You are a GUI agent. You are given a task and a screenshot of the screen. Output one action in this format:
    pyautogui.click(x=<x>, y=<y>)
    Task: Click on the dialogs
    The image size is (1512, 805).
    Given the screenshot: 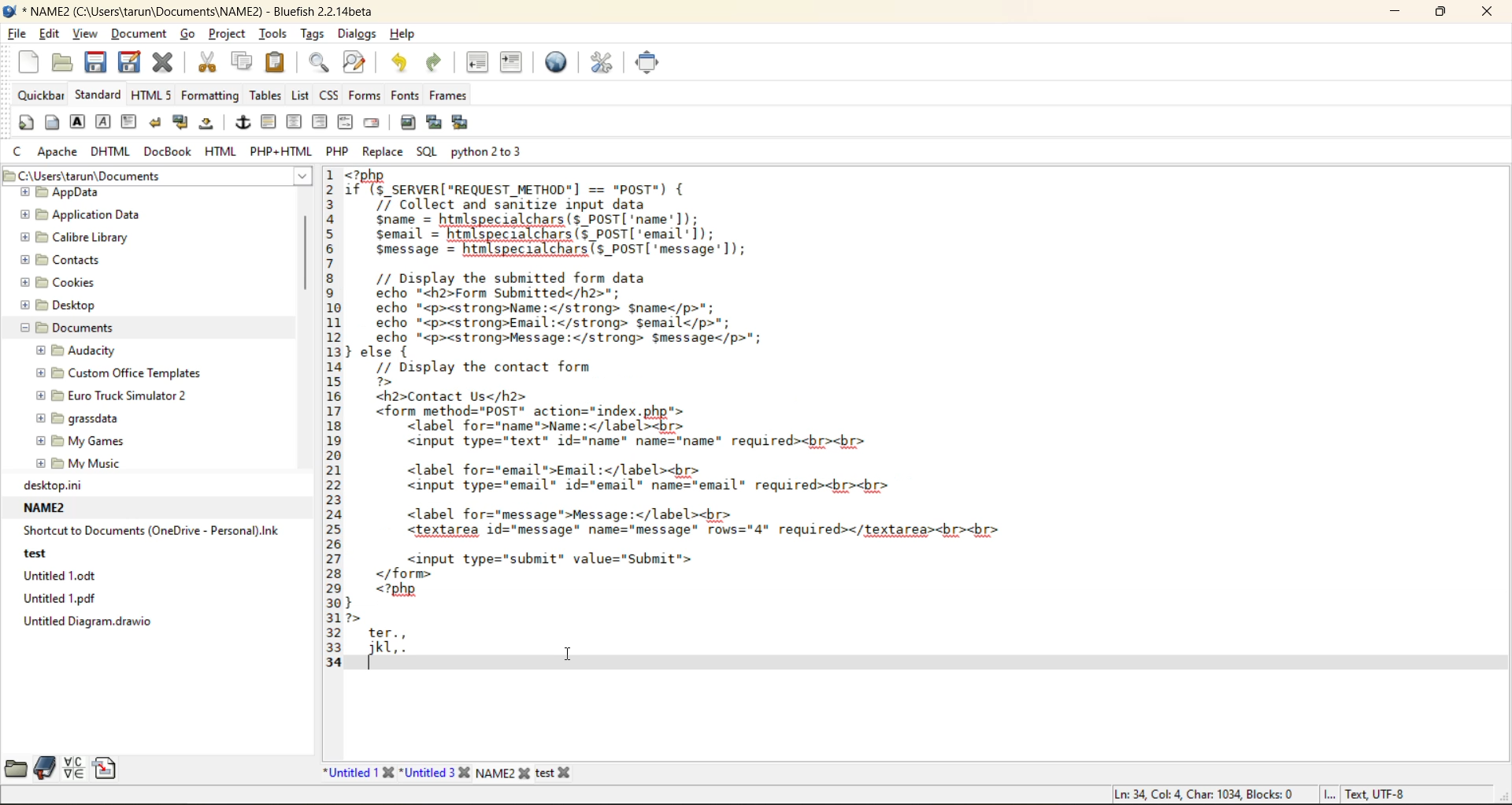 What is the action you would take?
    pyautogui.click(x=357, y=36)
    